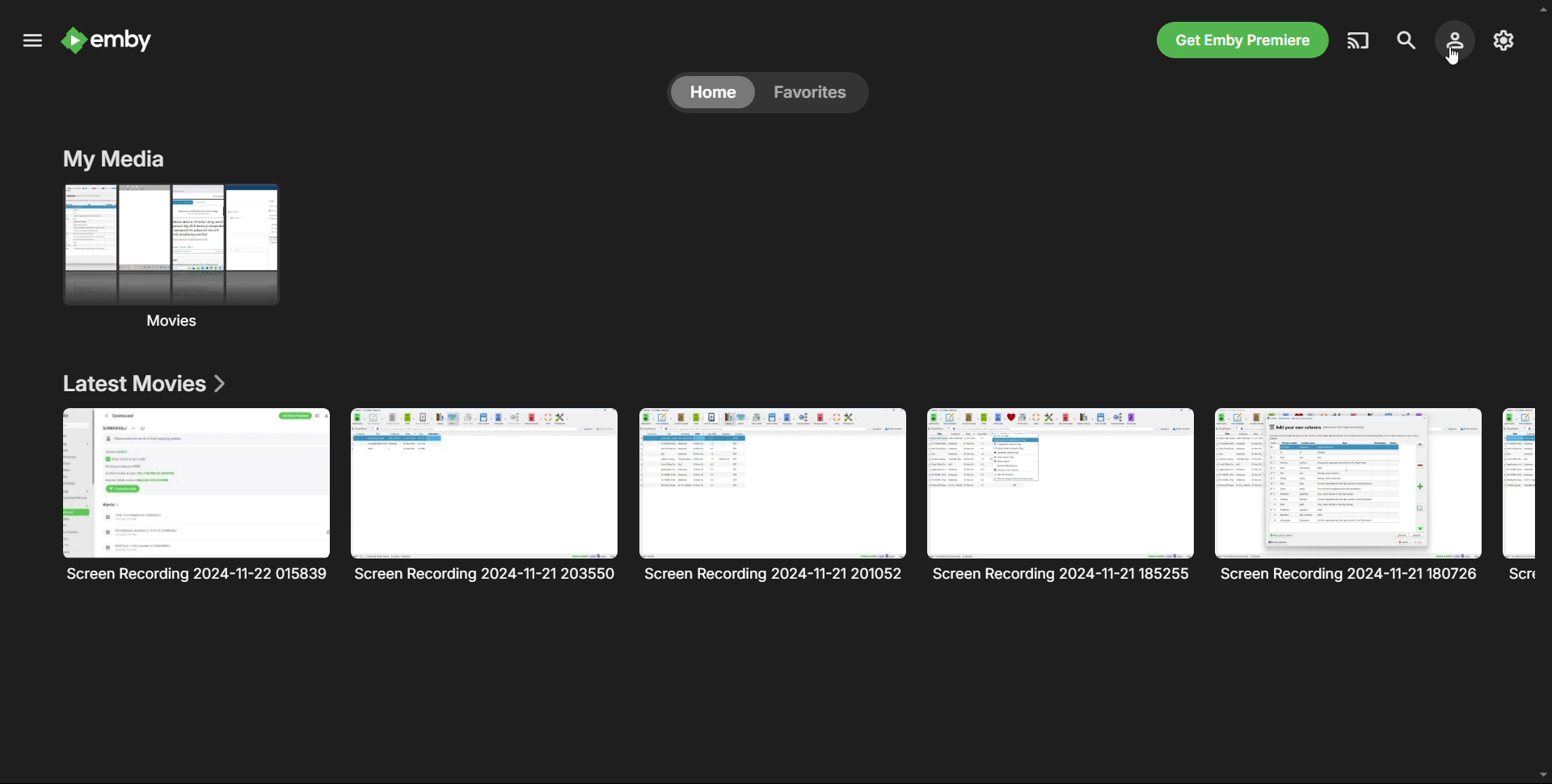 Image resolution: width=1552 pixels, height=784 pixels. I want to click on logo, so click(109, 41).